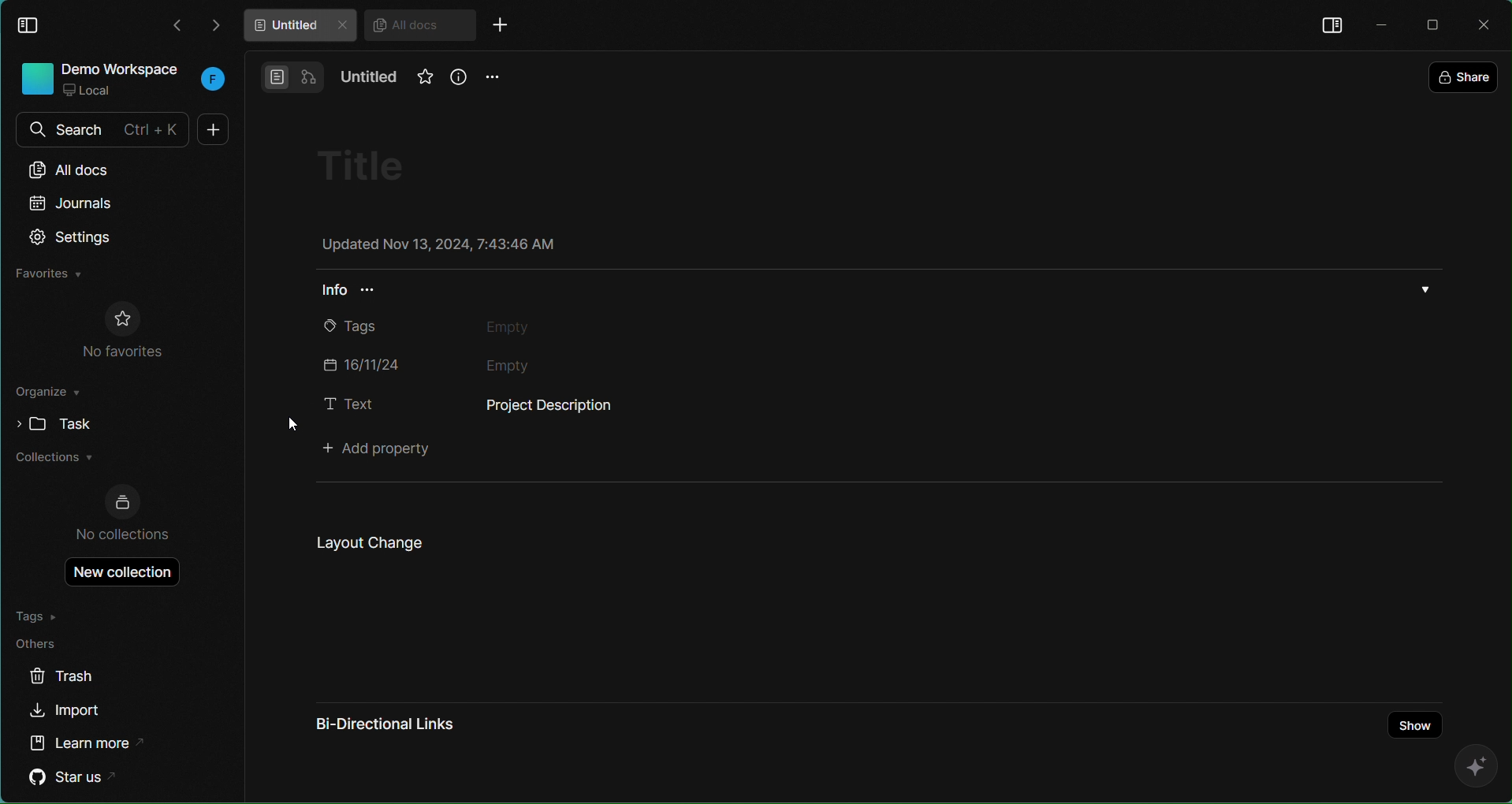 The width and height of the screenshot is (1512, 804). Describe the element at coordinates (43, 644) in the screenshot. I see `Others` at that location.